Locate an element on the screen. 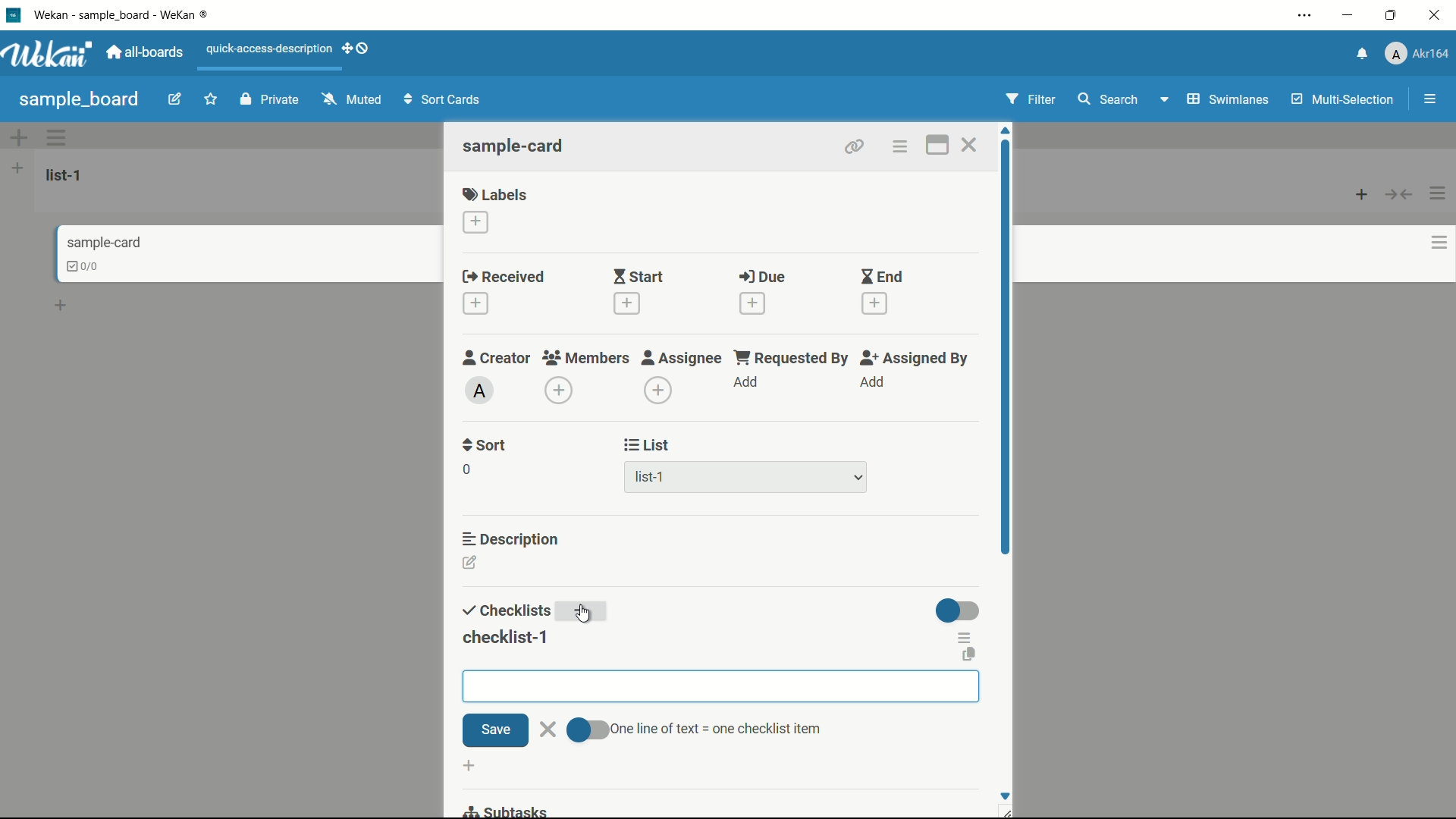 The image size is (1456, 819). received is located at coordinates (504, 278).